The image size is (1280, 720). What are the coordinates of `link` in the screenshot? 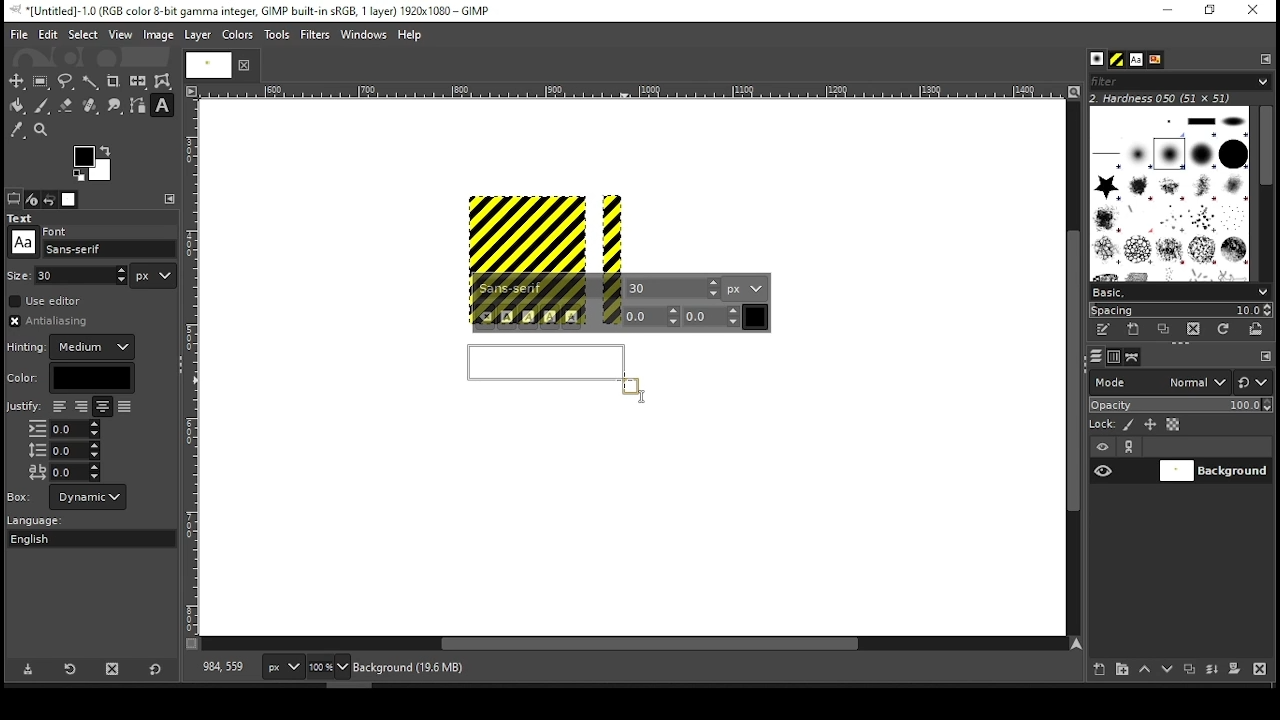 It's located at (1129, 447).